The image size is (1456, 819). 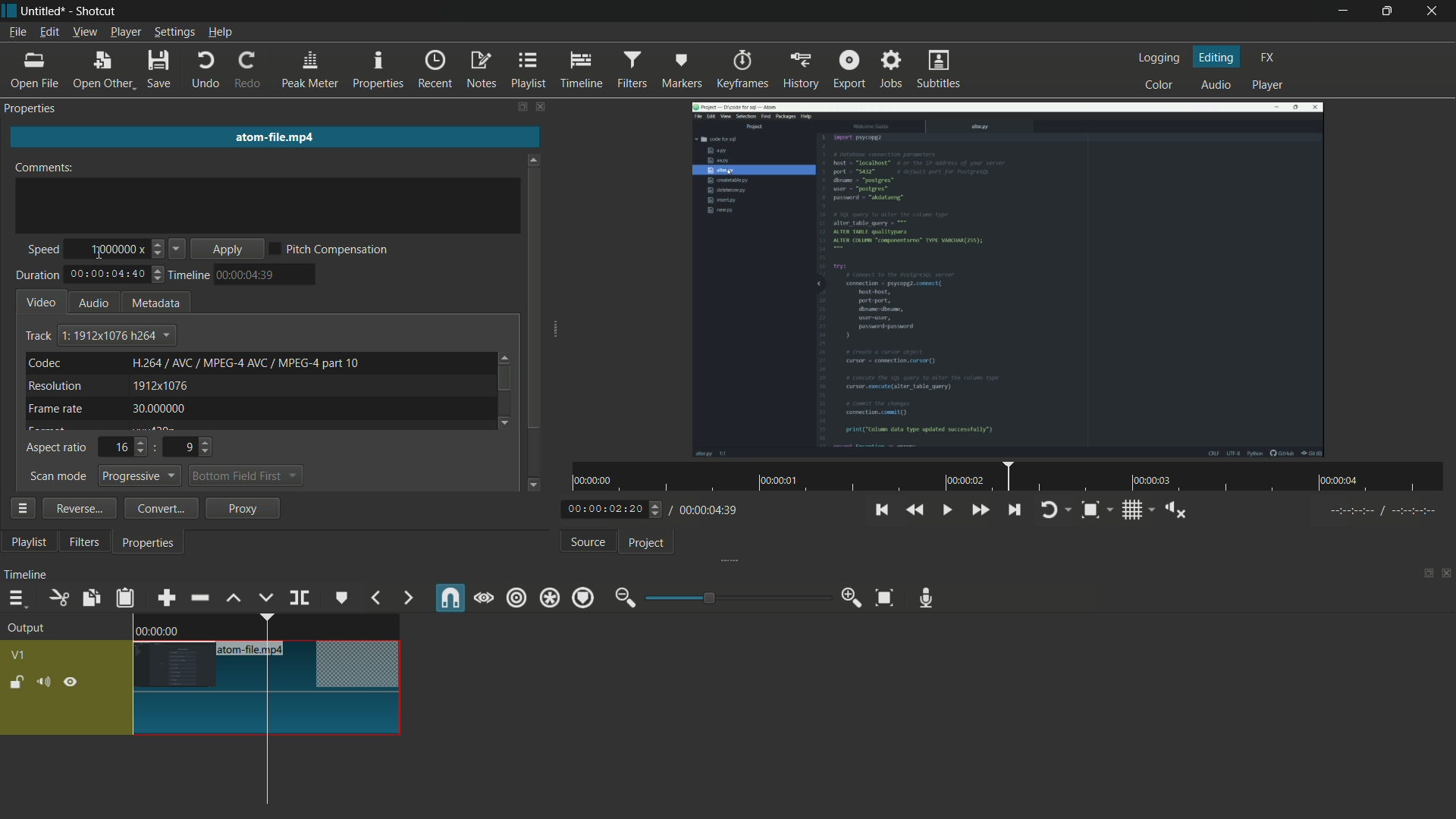 I want to click on imported file name, so click(x=272, y=135).